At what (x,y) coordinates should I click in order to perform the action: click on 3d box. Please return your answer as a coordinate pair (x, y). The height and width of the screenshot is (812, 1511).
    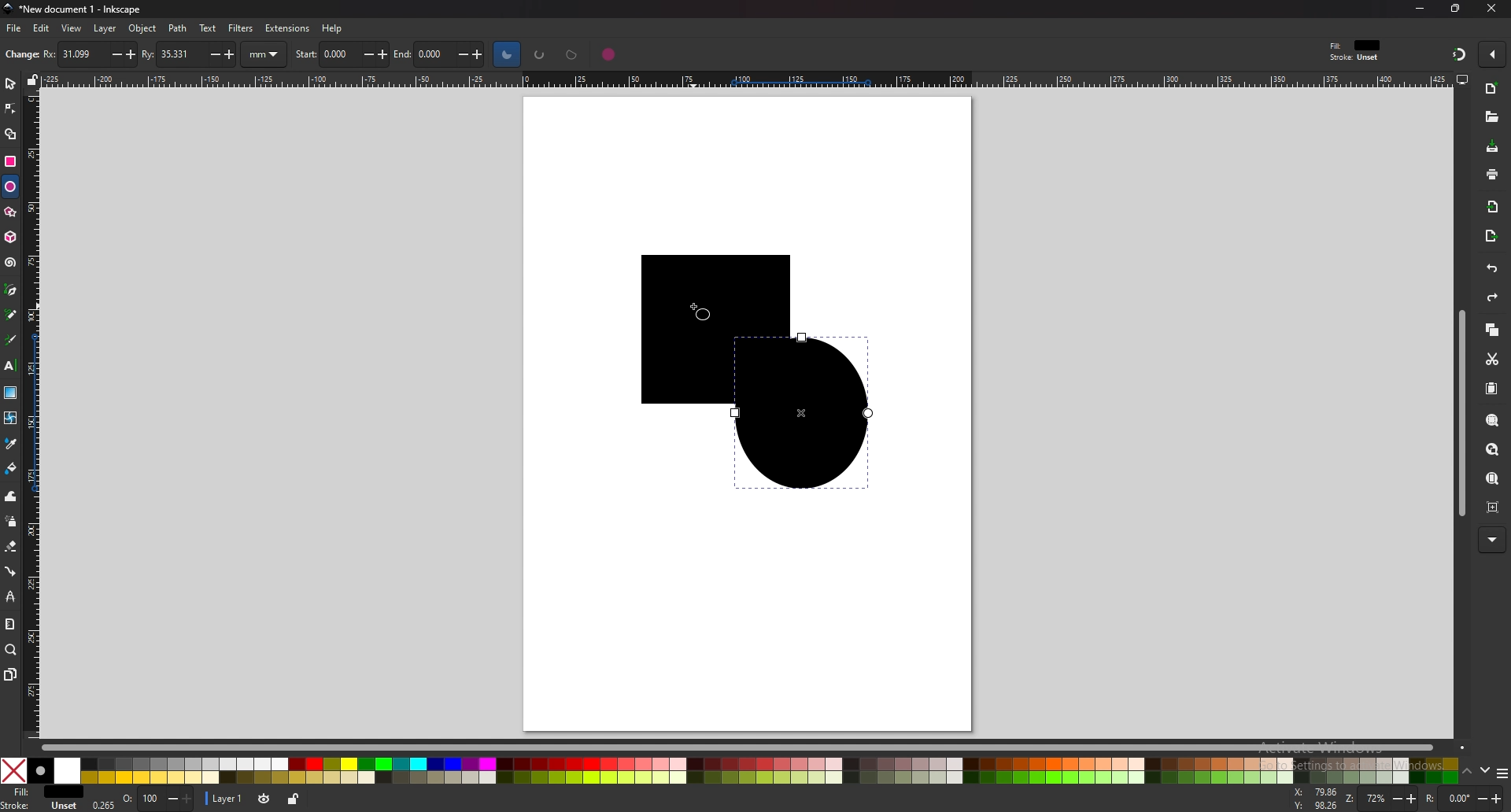
    Looking at the image, I should click on (10, 237).